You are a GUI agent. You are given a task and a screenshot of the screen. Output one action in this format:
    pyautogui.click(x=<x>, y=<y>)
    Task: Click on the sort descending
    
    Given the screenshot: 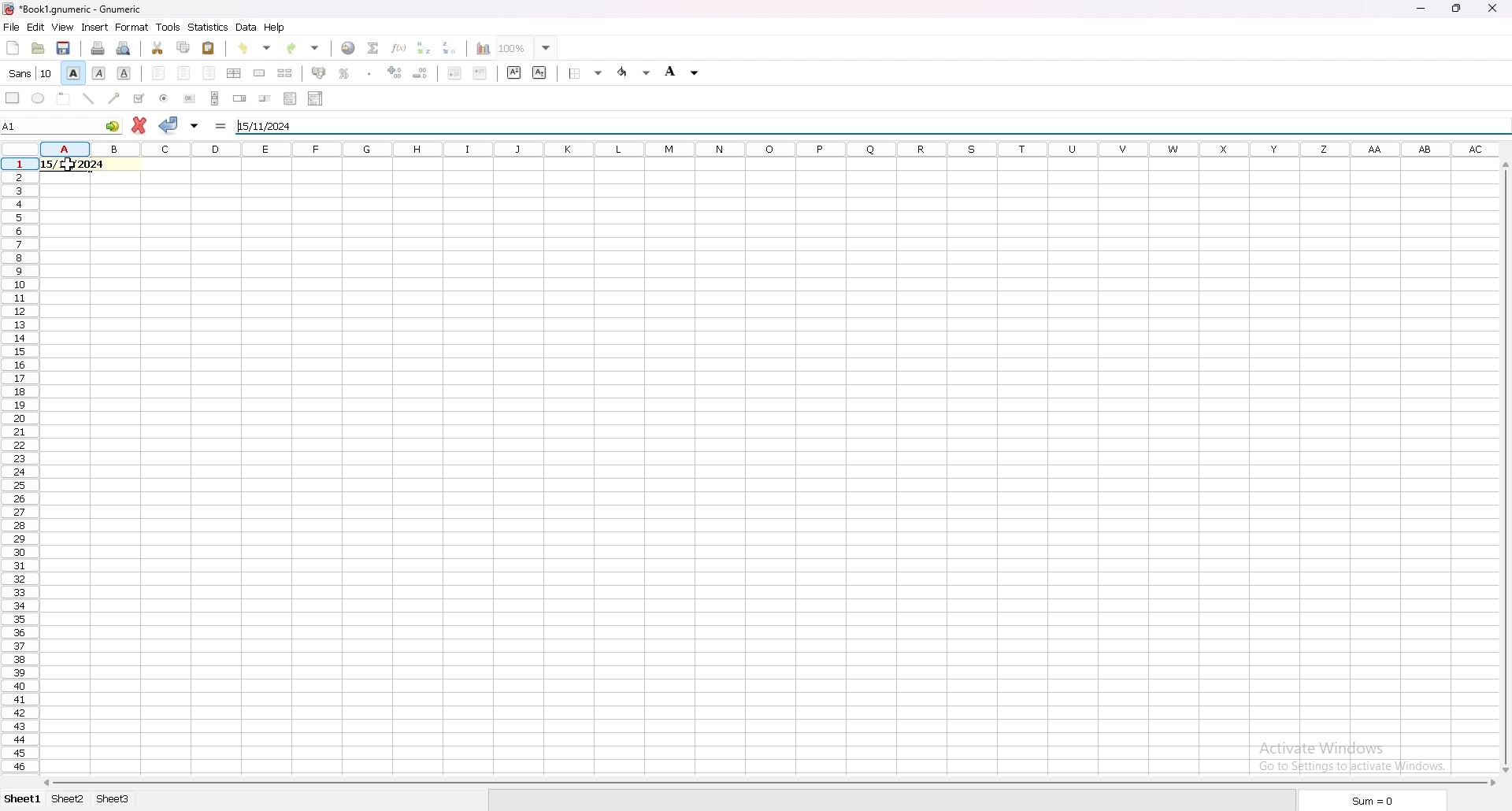 What is the action you would take?
    pyautogui.click(x=449, y=48)
    